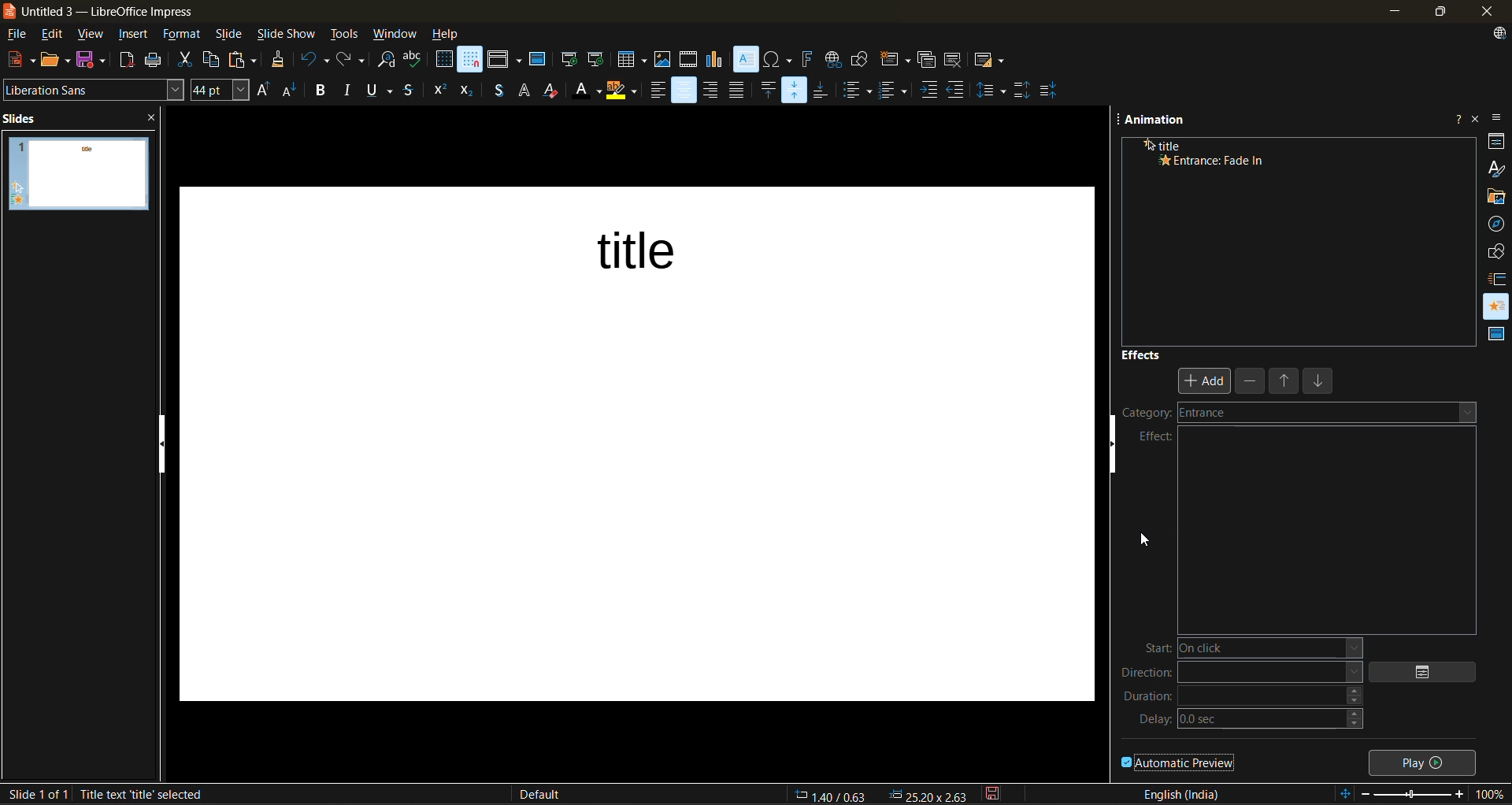  What do you see at coordinates (1477, 117) in the screenshot?
I see `close sidebar deck` at bounding box center [1477, 117].